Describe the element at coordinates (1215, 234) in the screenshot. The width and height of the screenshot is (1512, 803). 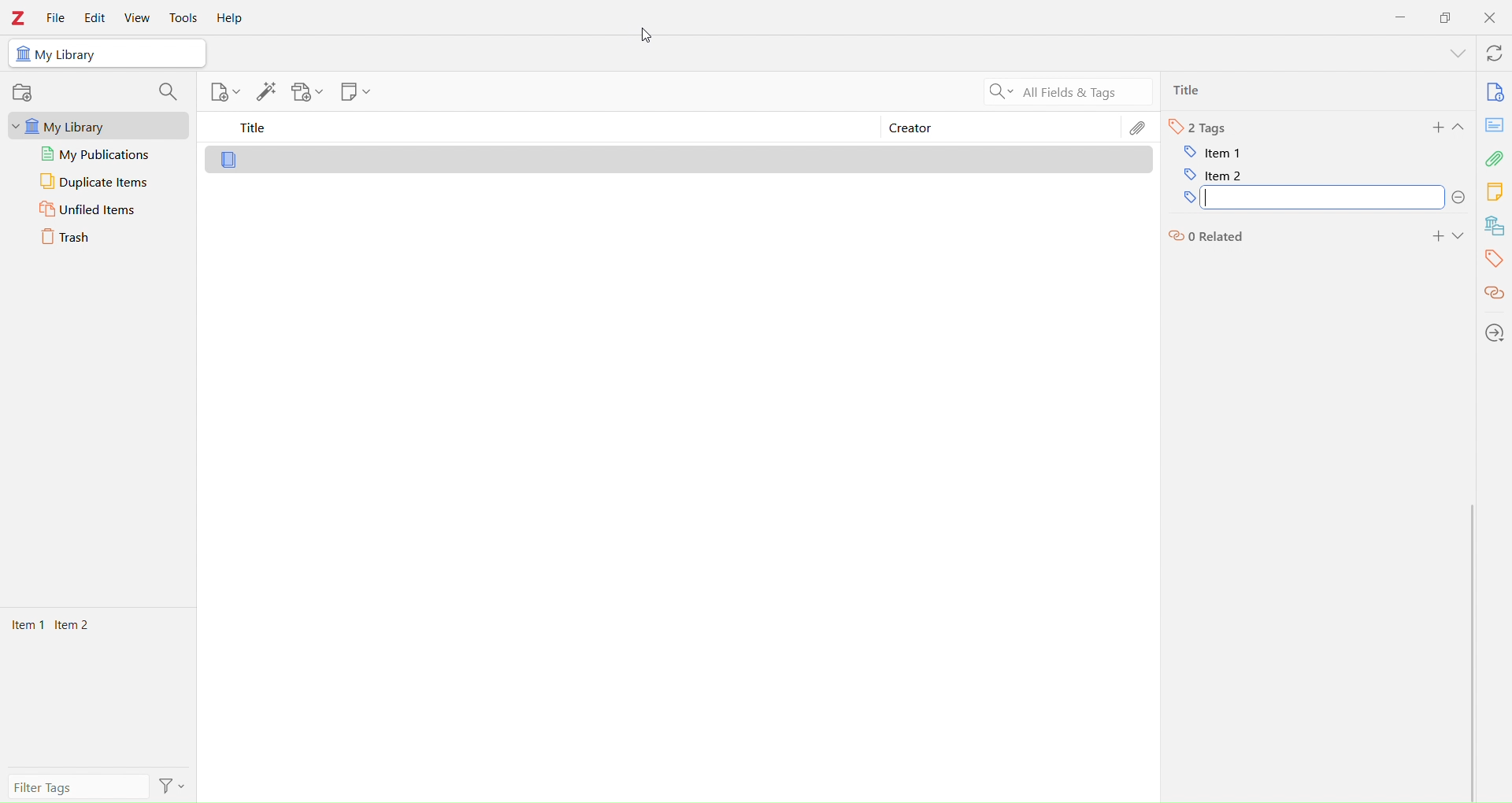
I see `related` at that location.